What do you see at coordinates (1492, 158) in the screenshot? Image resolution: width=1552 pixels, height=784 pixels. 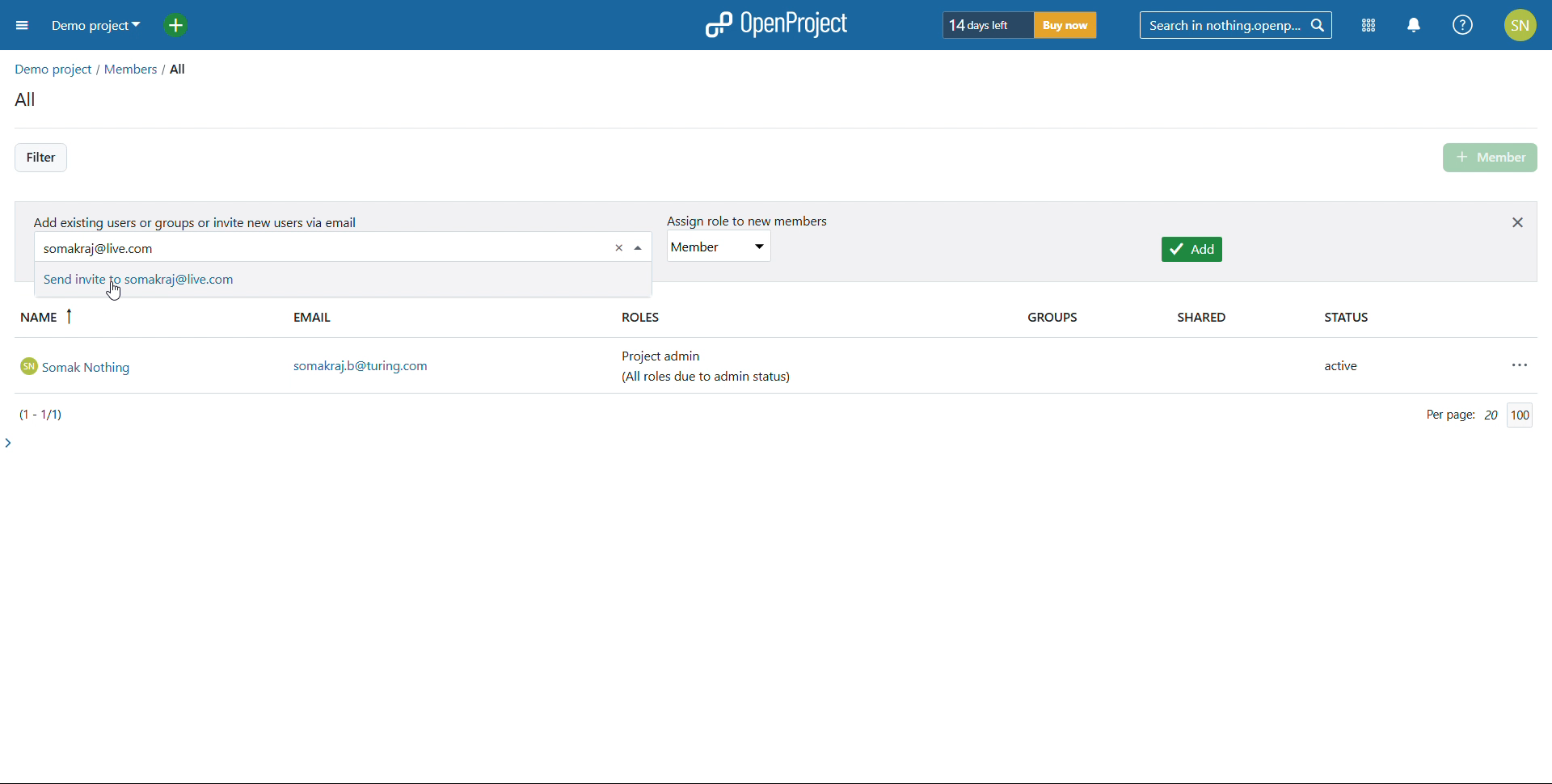 I see `add member` at bounding box center [1492, 158].